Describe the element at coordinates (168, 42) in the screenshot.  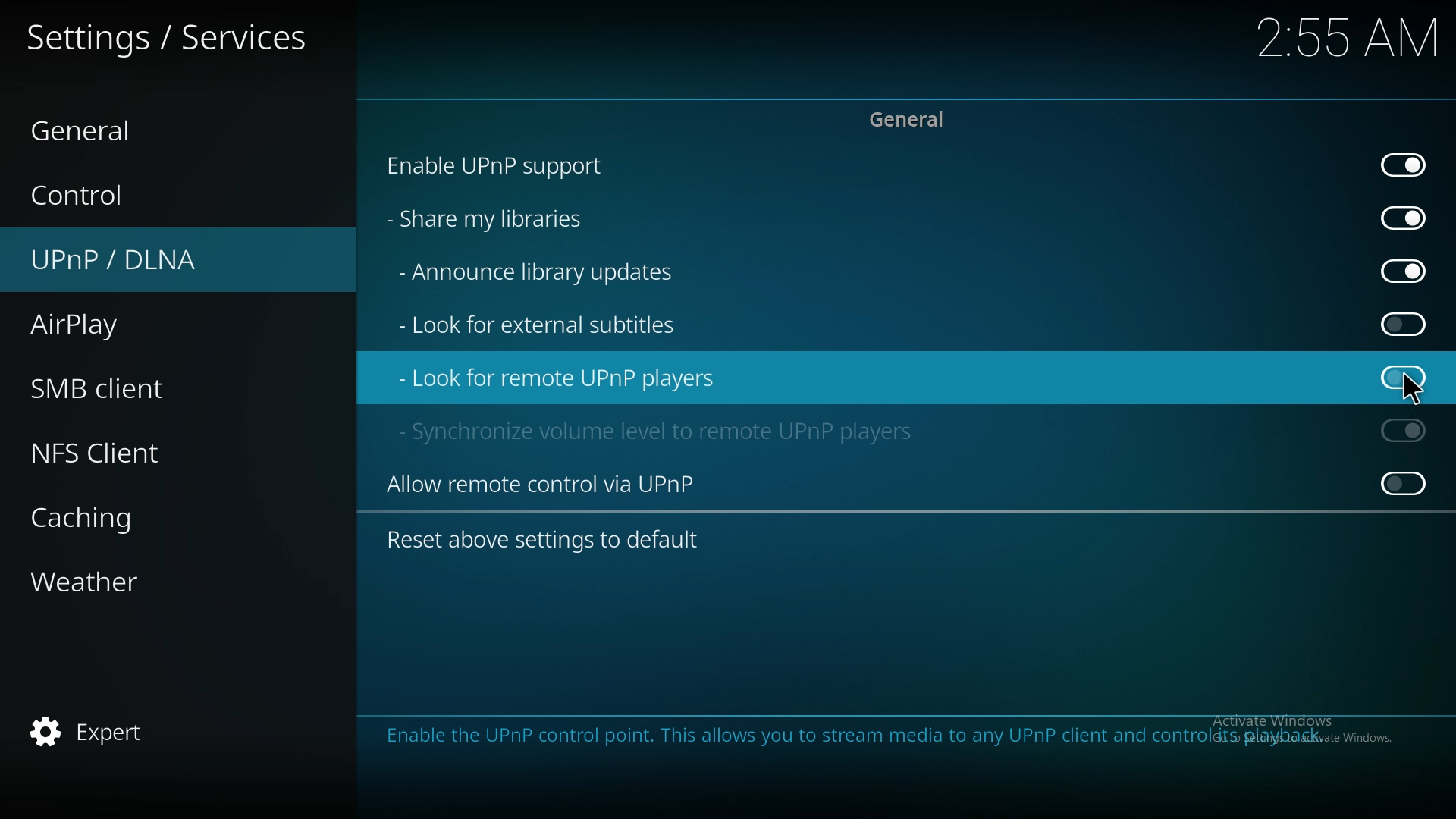
I see `services` at that location.